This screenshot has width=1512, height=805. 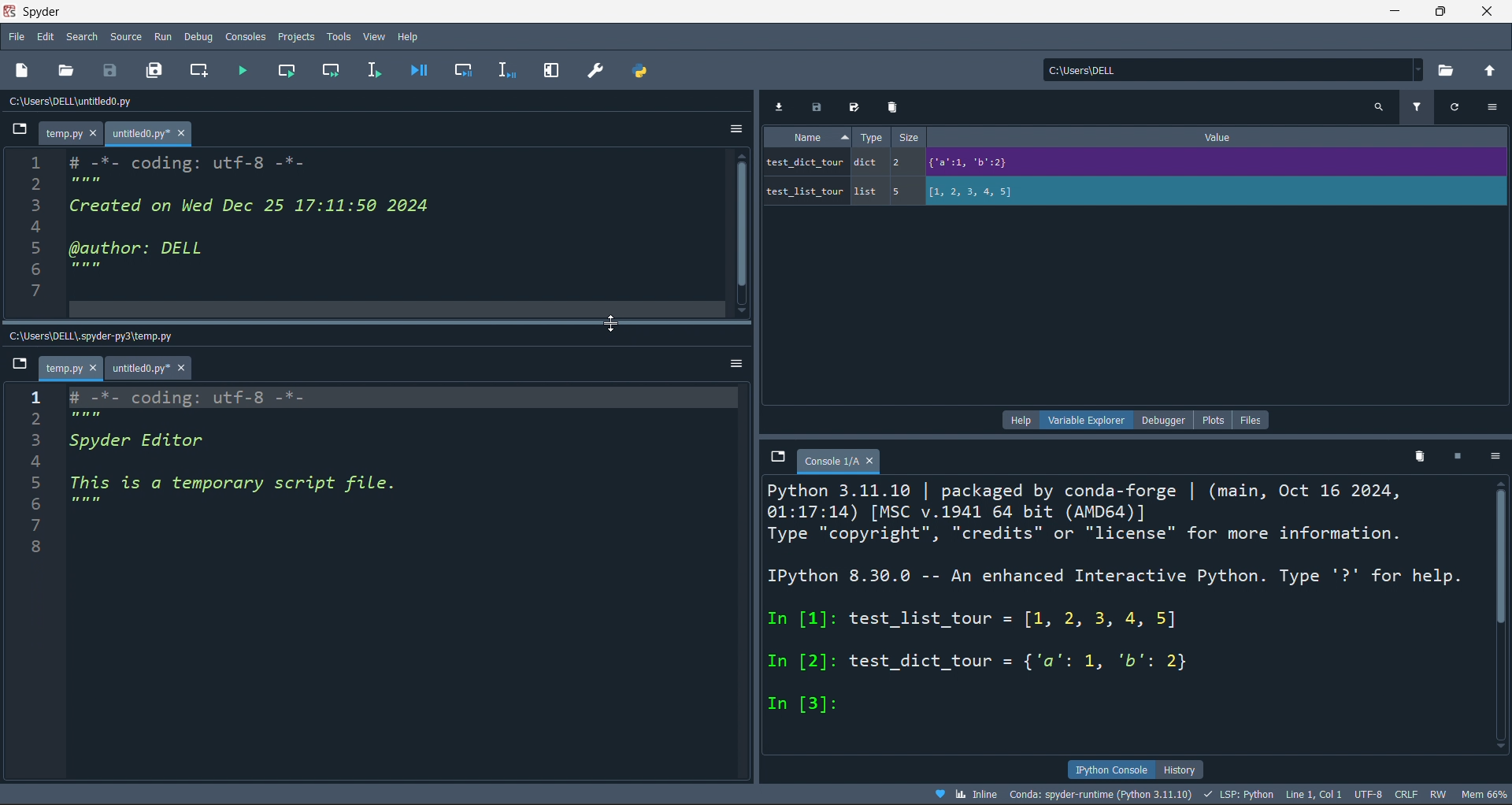 I want to click on run line, so click(x=380, y=69).